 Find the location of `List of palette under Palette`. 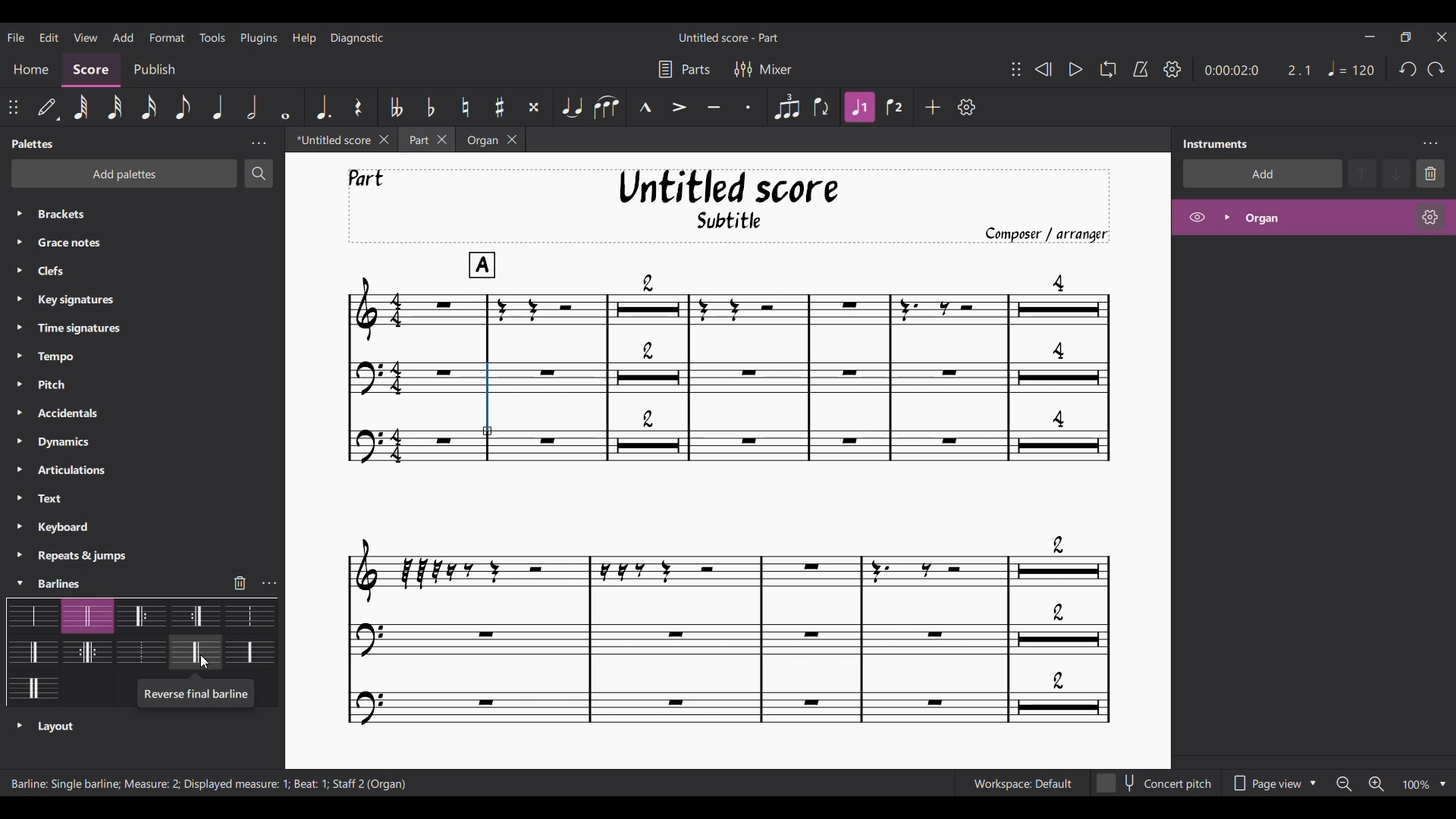

List of palette under Palette is located at coordinates (156, 386).